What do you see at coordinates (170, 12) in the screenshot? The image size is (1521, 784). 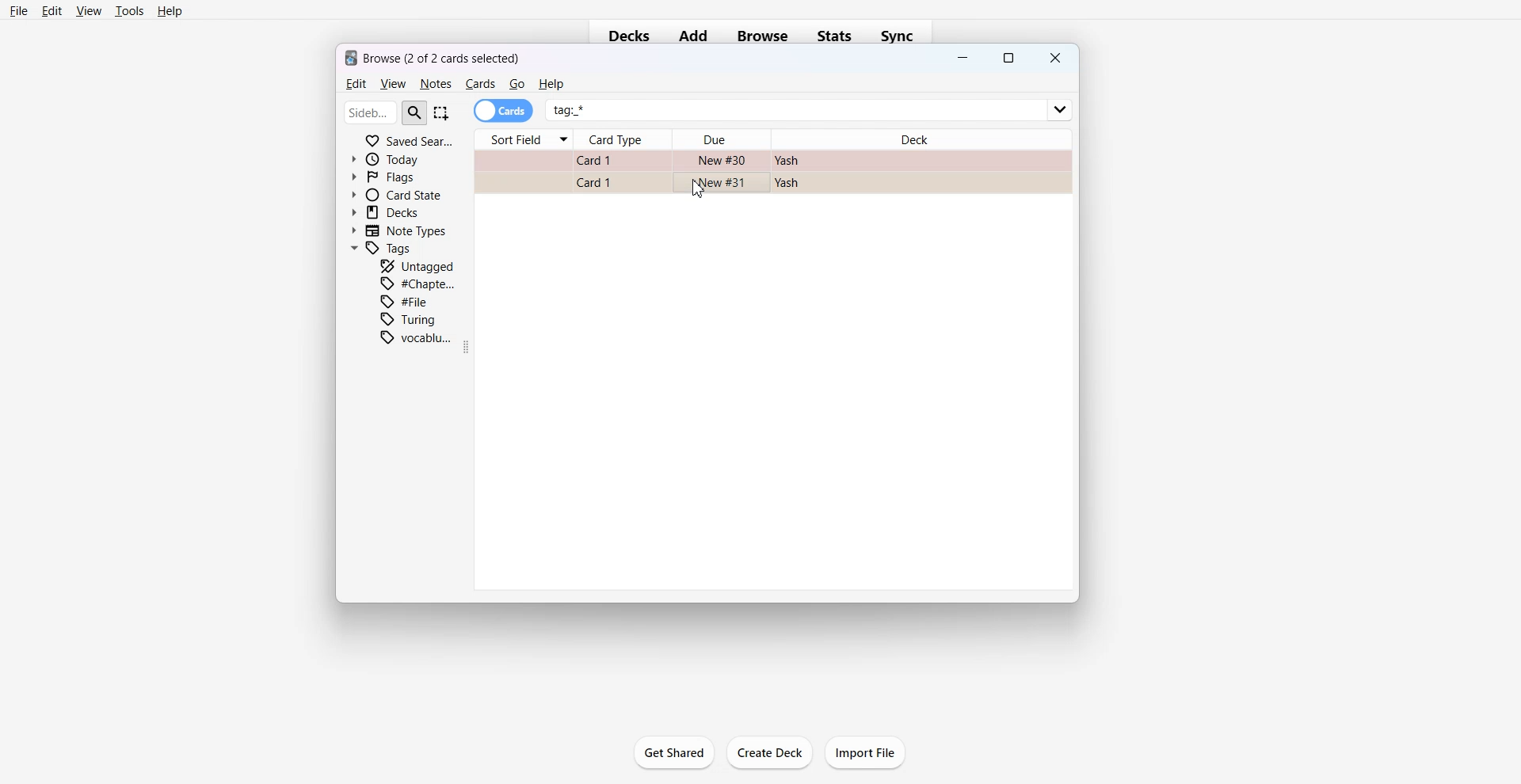 I see `Help` at bounding box center [170, 12].